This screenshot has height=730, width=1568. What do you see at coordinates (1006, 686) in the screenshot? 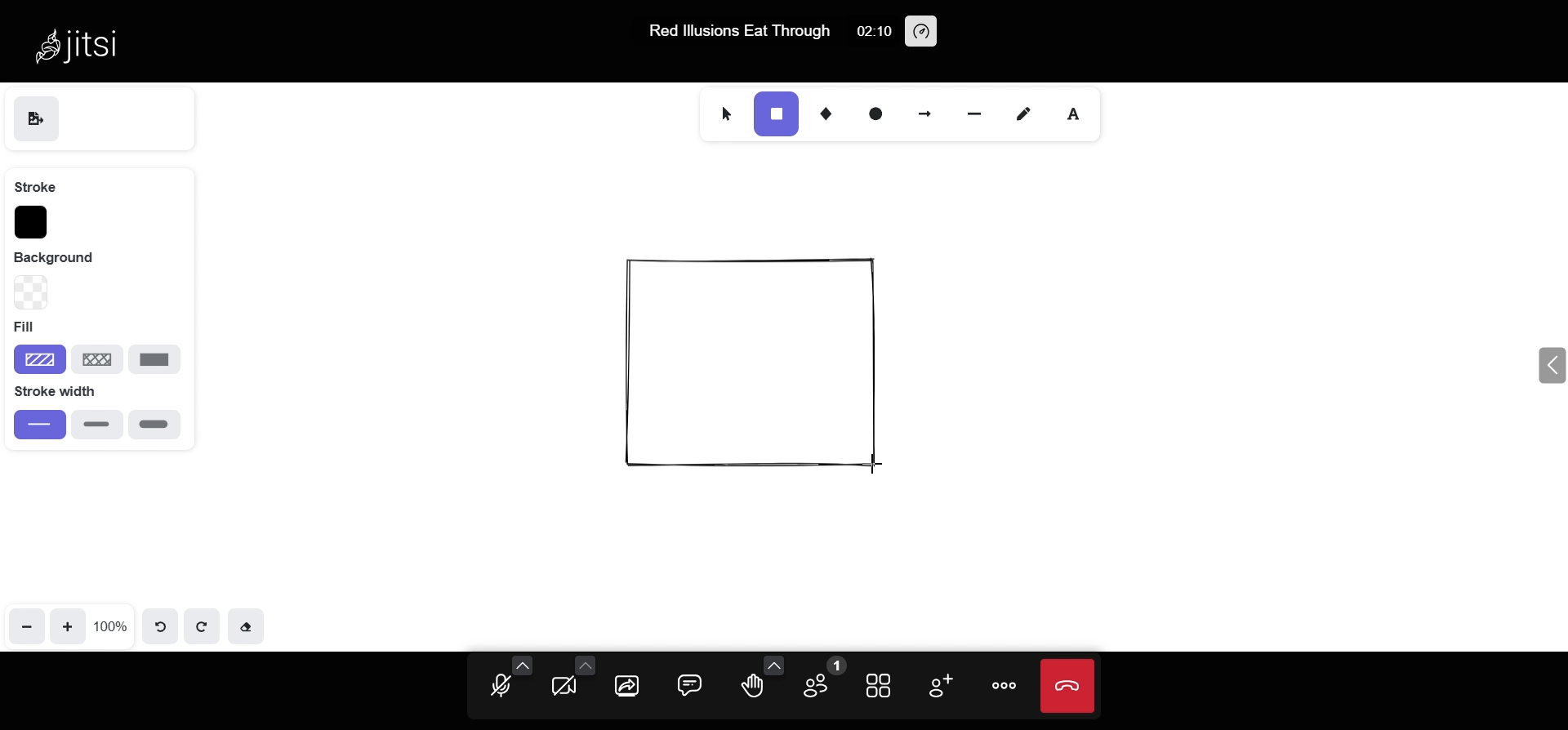
I see `more` at bounding box center [1006, 686].